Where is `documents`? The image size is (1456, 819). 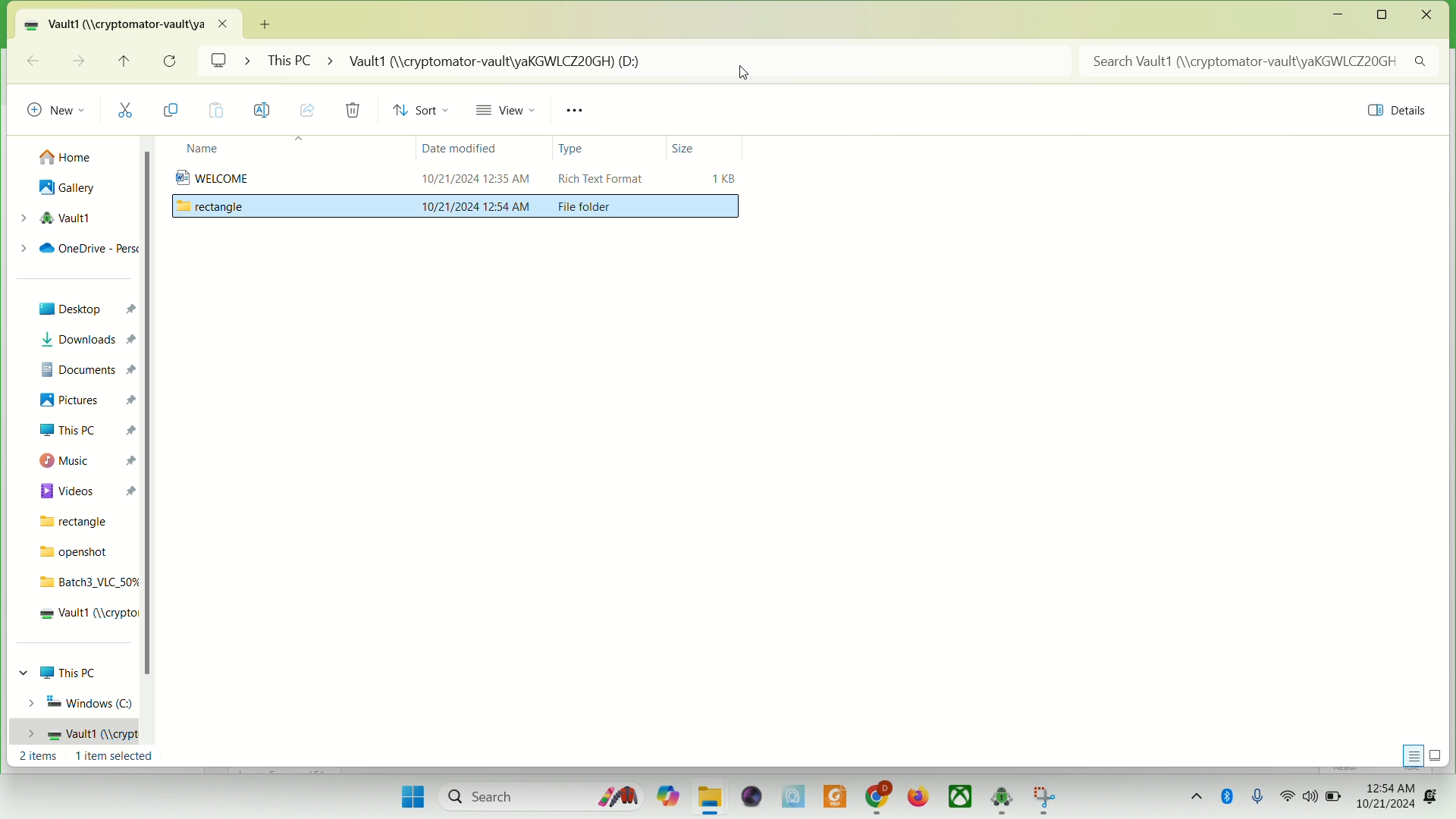
documents is located at coordinates (85, 367).